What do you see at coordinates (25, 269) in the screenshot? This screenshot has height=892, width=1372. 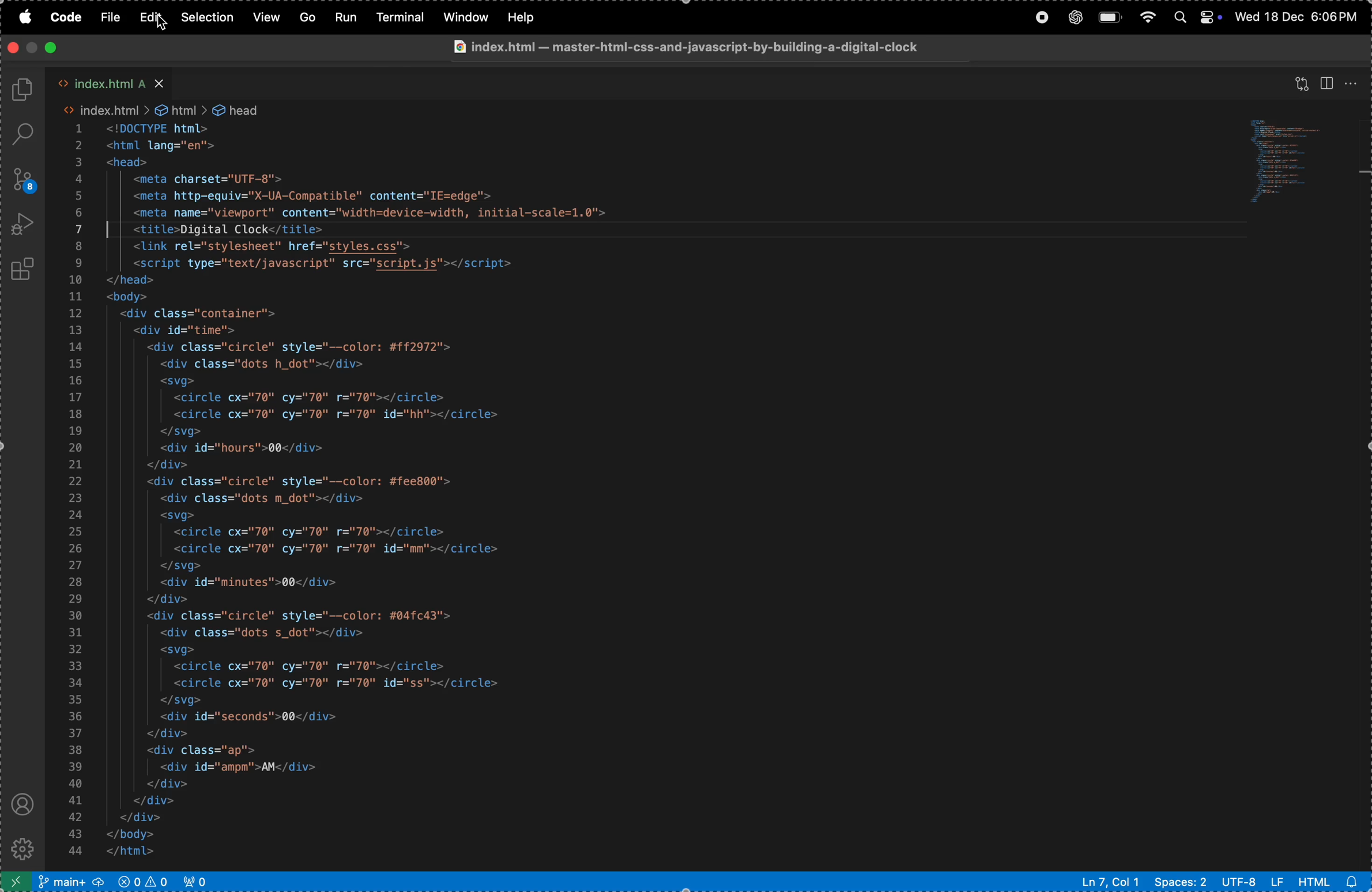 I see `extensions` at bounding box center [25, 269].